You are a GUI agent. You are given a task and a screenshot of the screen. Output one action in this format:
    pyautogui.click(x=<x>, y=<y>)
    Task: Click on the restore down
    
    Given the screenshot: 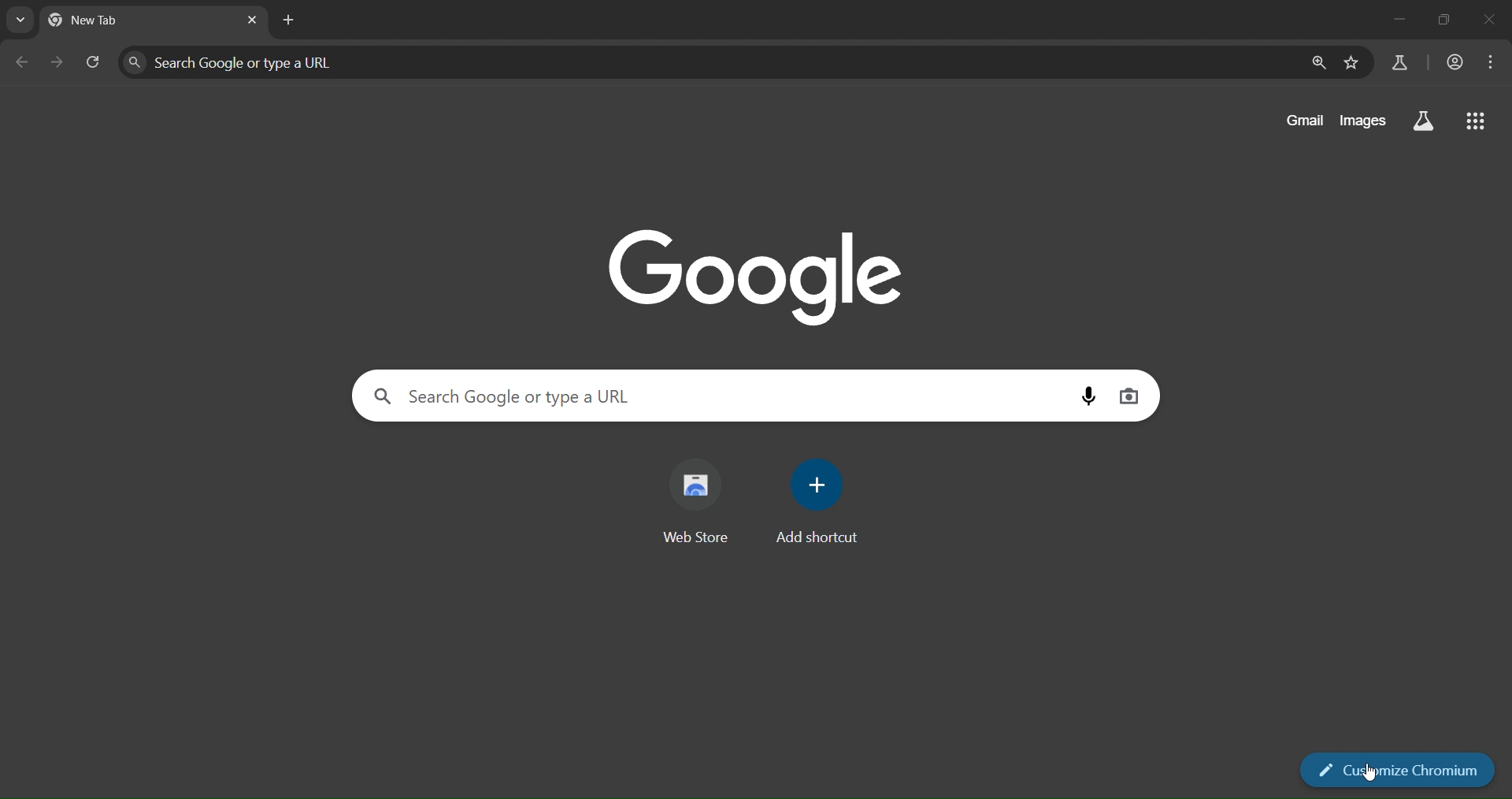 What is the action you would take?
    pyautogui.click(x=1440, y=17)
    